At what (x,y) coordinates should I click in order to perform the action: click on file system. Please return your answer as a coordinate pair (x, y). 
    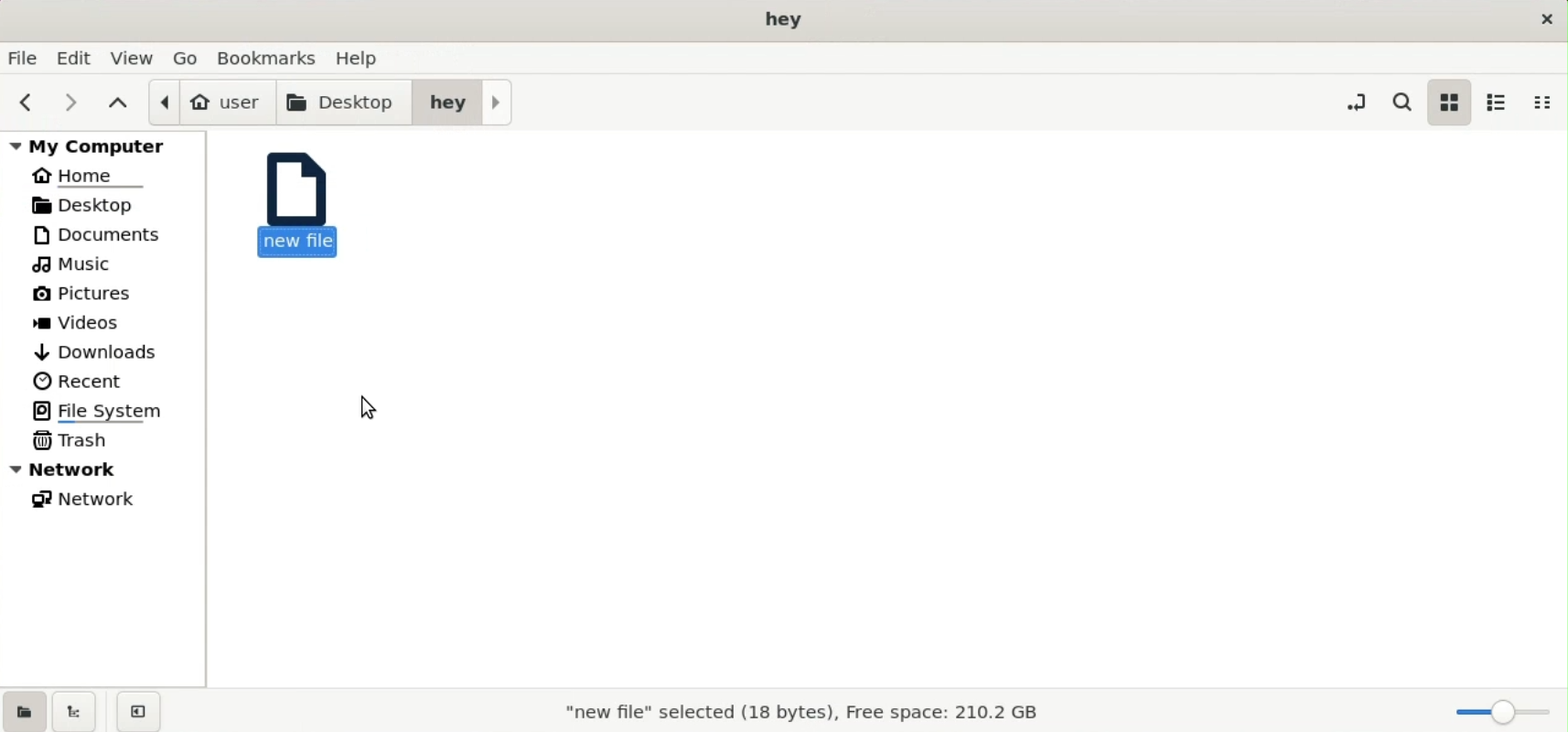
    Looking at the image, I should click on (105, 410).